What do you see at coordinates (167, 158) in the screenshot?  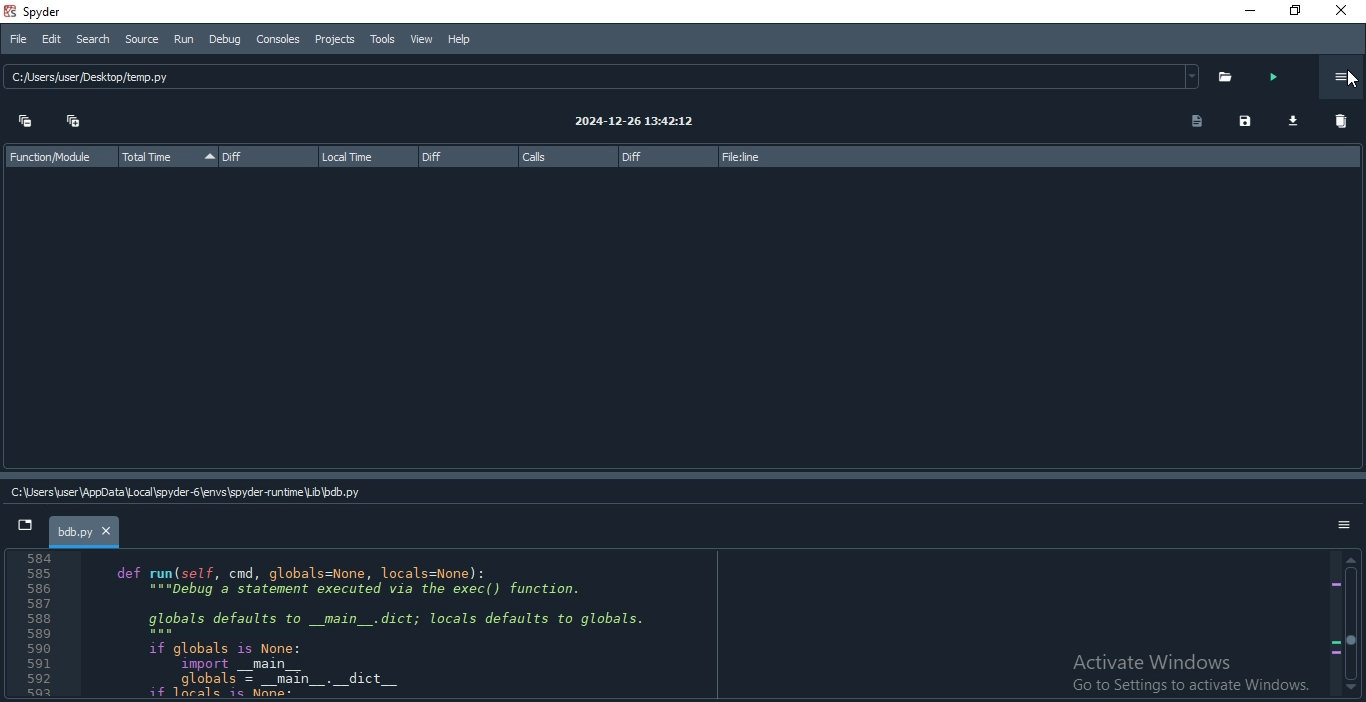 I see `Total Time` at bounding box center [167, 158].